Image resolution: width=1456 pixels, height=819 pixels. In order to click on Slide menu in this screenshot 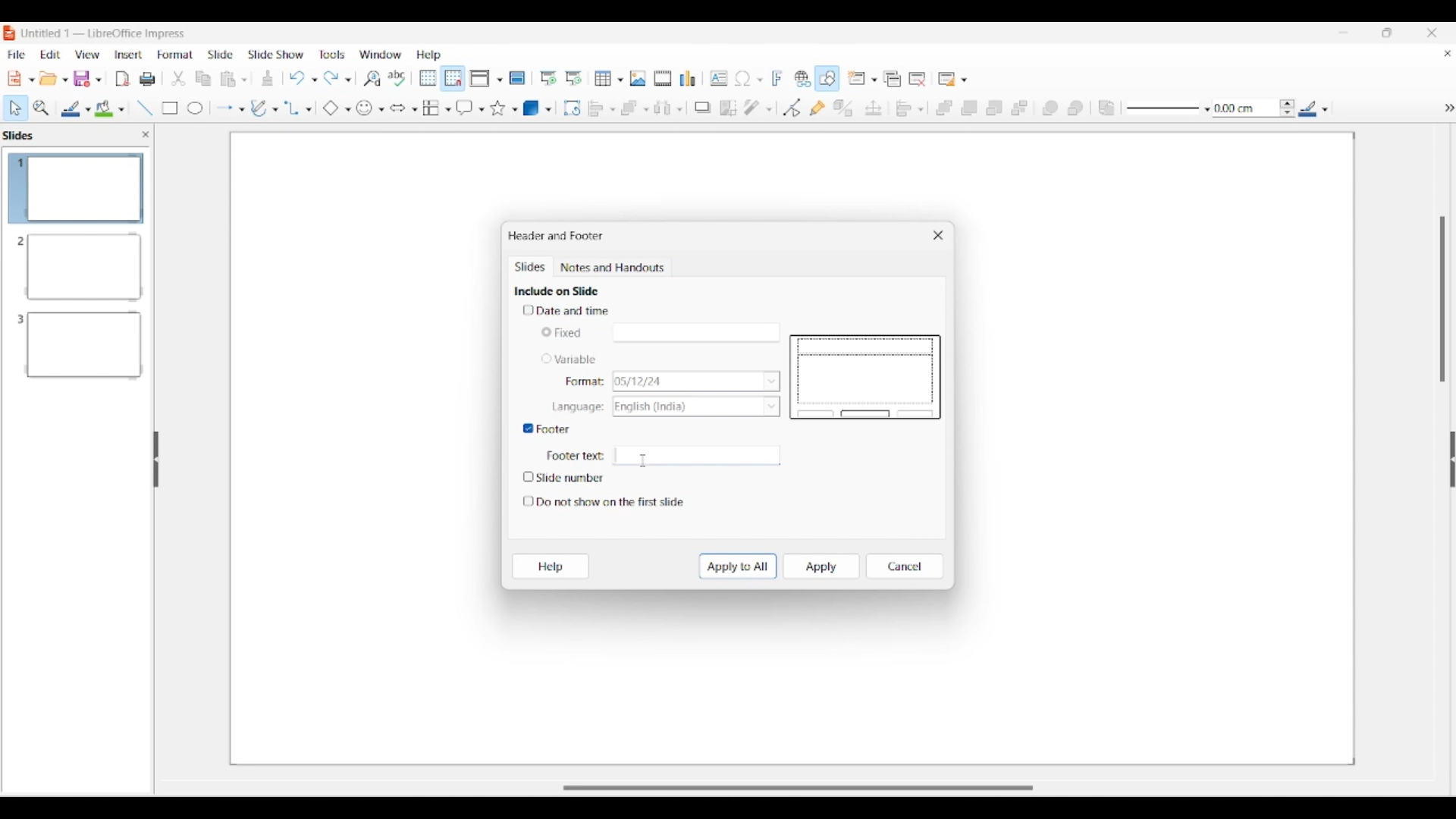, I will do `click(221, 55)`.